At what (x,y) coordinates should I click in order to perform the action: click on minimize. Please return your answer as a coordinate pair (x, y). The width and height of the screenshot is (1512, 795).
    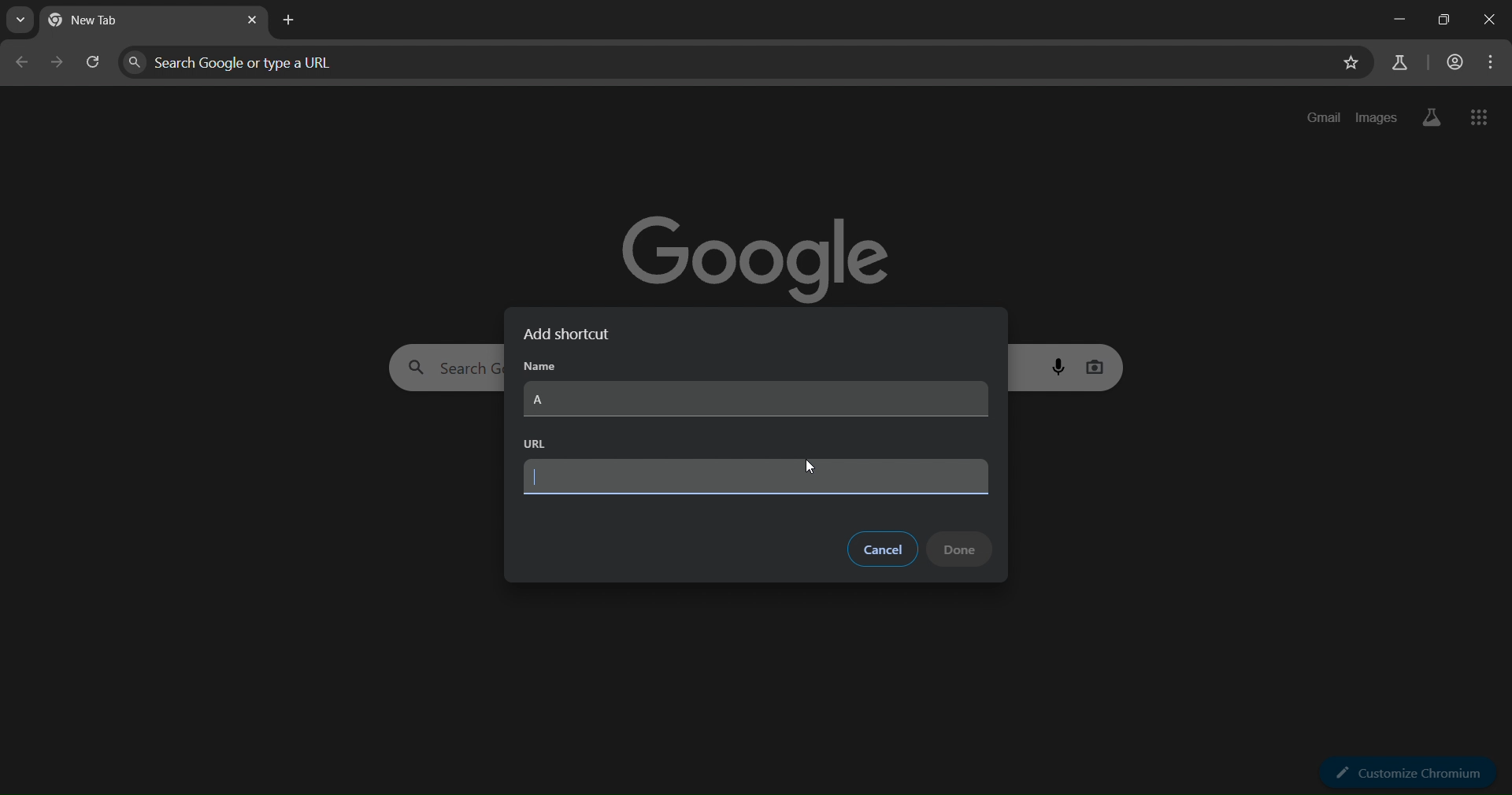
    Looking at the image, I should click on (1395, 22).